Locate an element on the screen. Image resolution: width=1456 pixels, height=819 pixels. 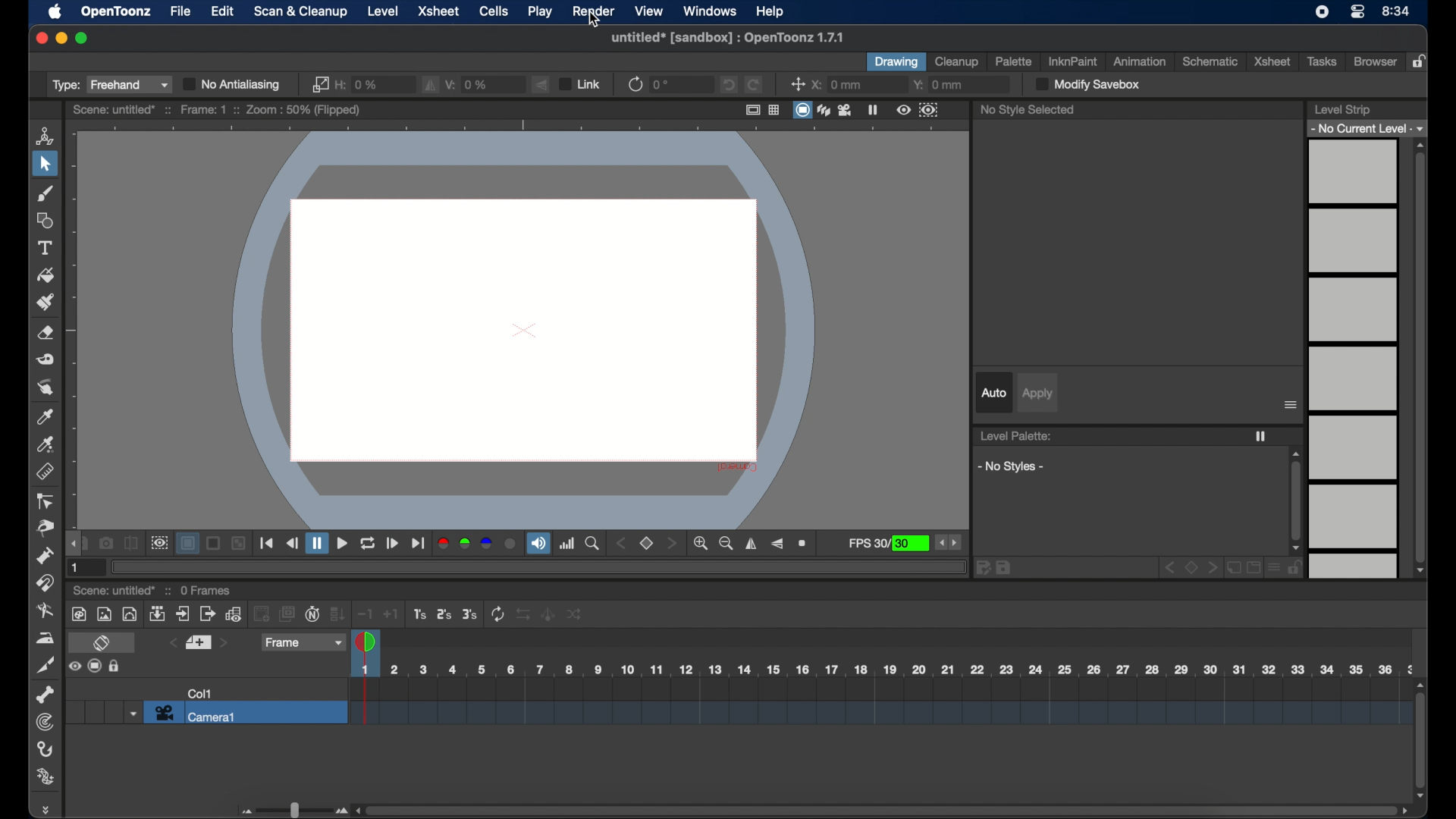
xsheet is located at coordinates (438, 11).